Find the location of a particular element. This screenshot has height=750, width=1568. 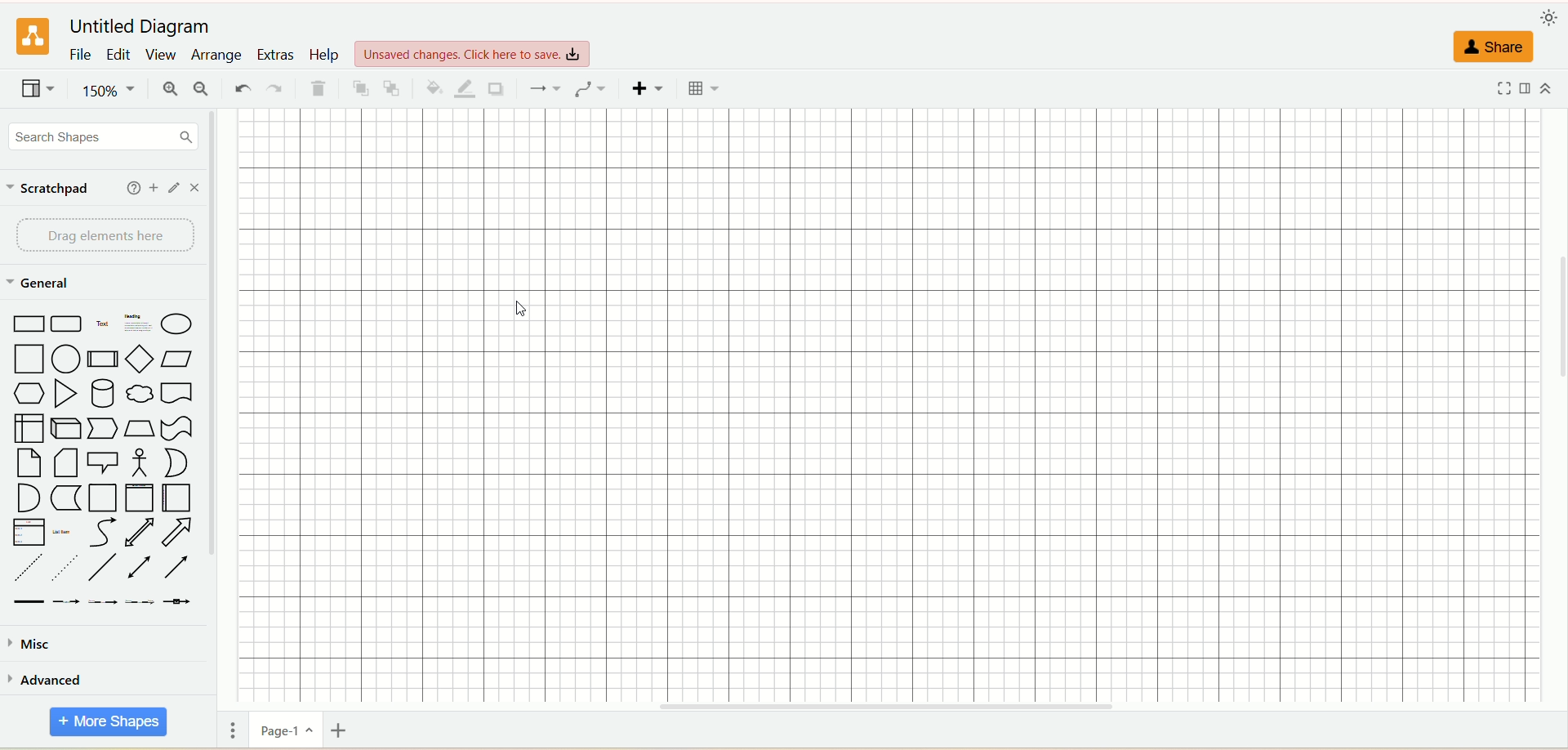

ellipse is located at coordinates (176, 323).